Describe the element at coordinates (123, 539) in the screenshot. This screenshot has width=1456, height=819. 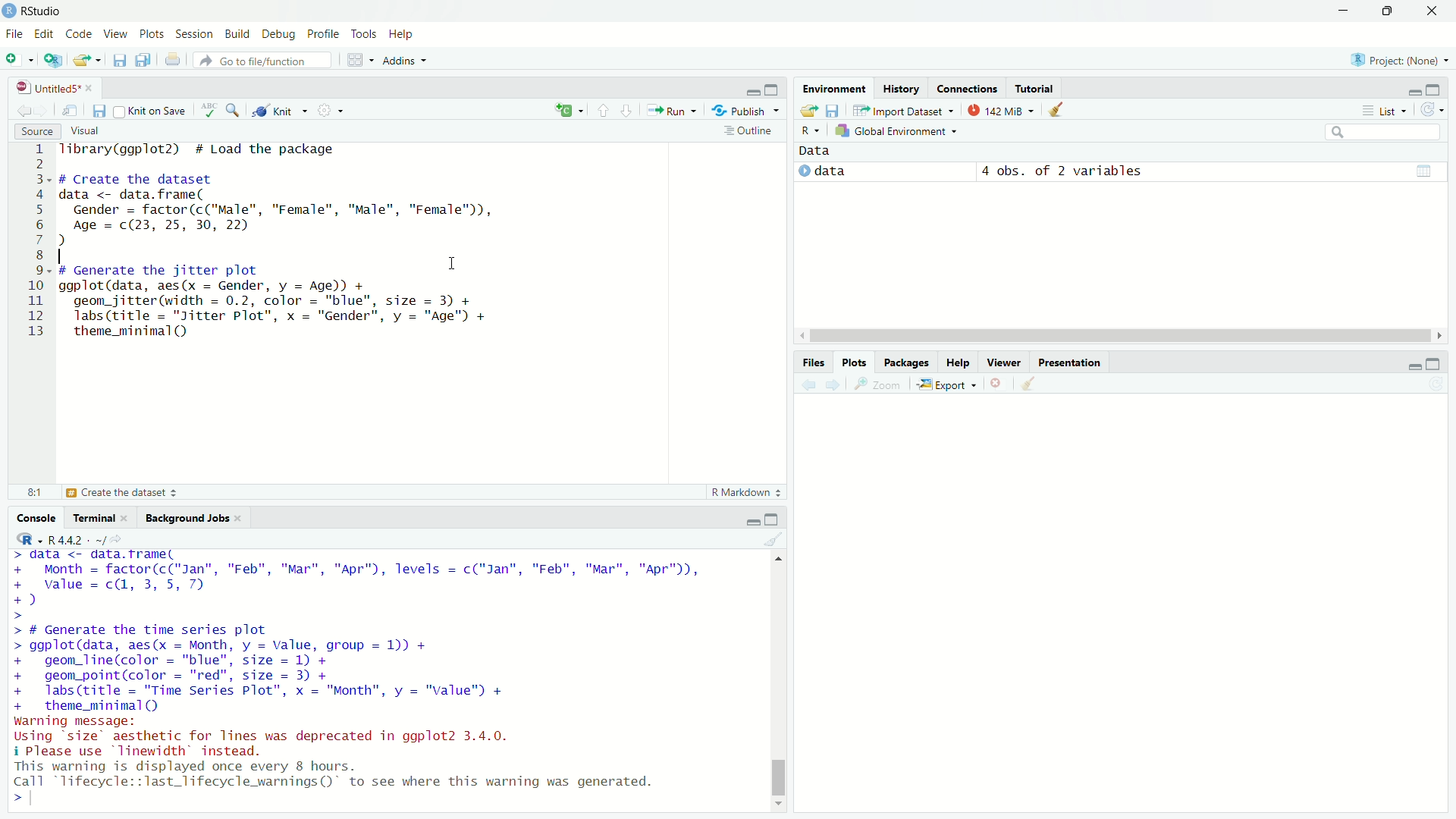
I see `view the current working directory` at that location.